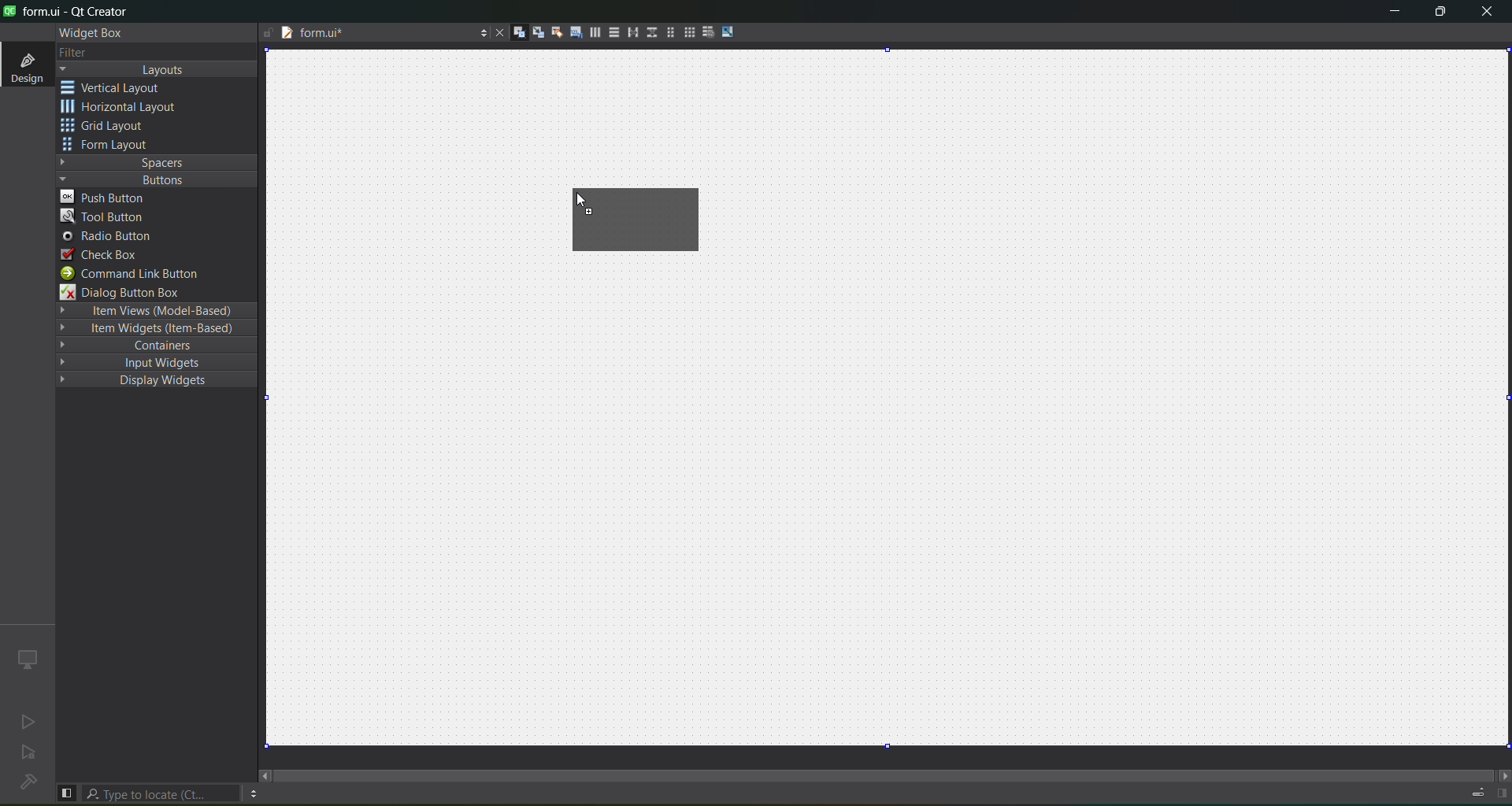 The width and height of the screenshot is (1512, 806). I want to click on design, so click(25, 66).